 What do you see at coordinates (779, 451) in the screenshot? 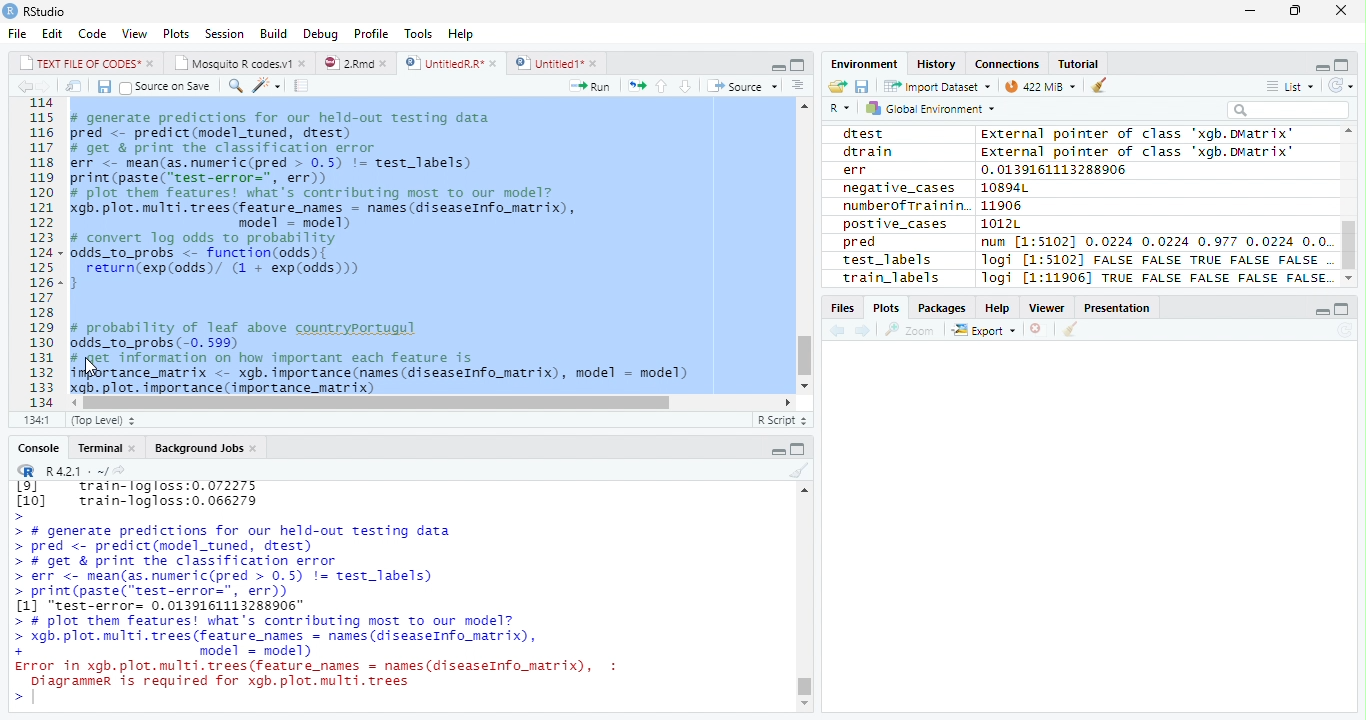
I see `Minimize` at bounding box center [779, 451].